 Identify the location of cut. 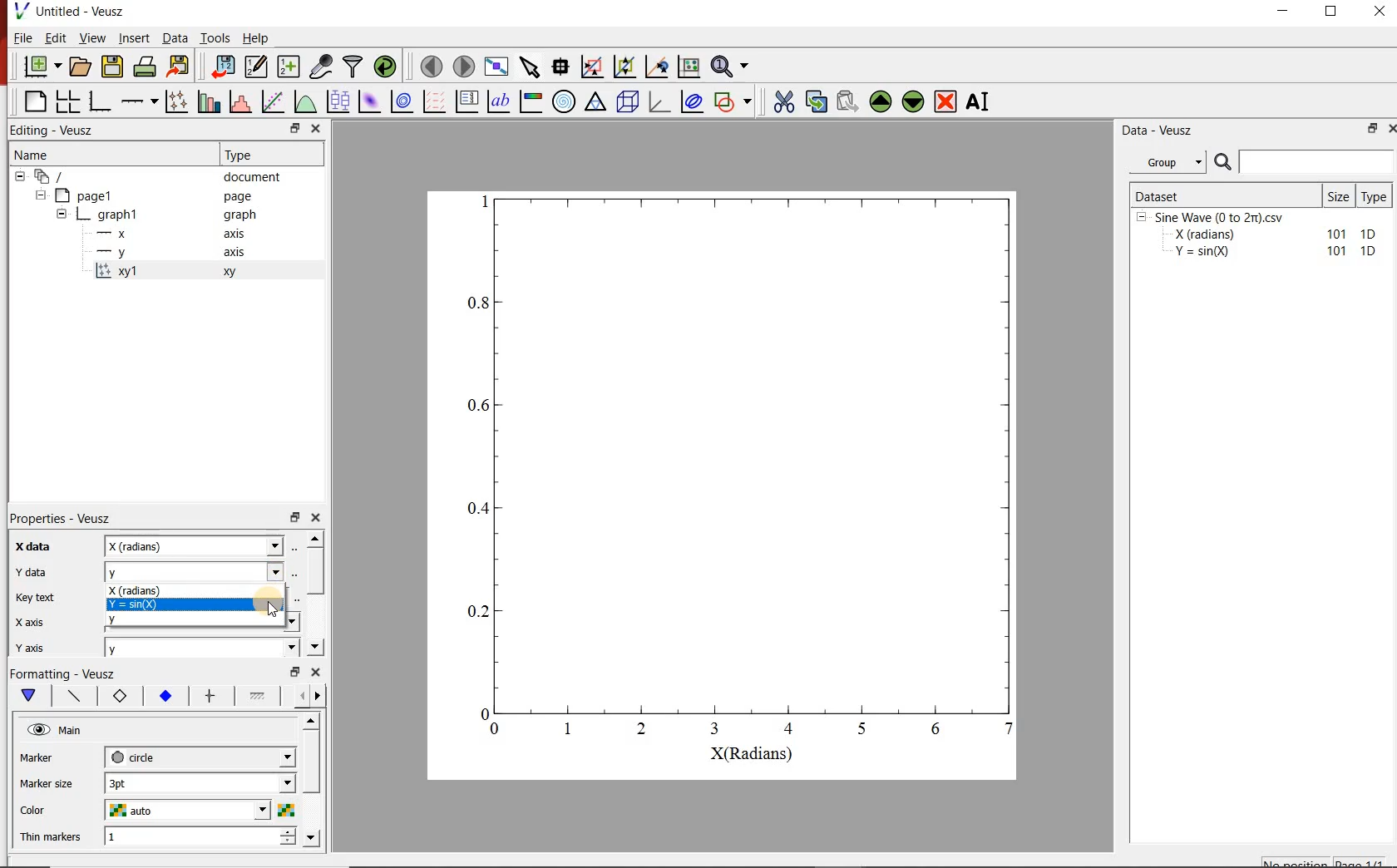
(784, 100).